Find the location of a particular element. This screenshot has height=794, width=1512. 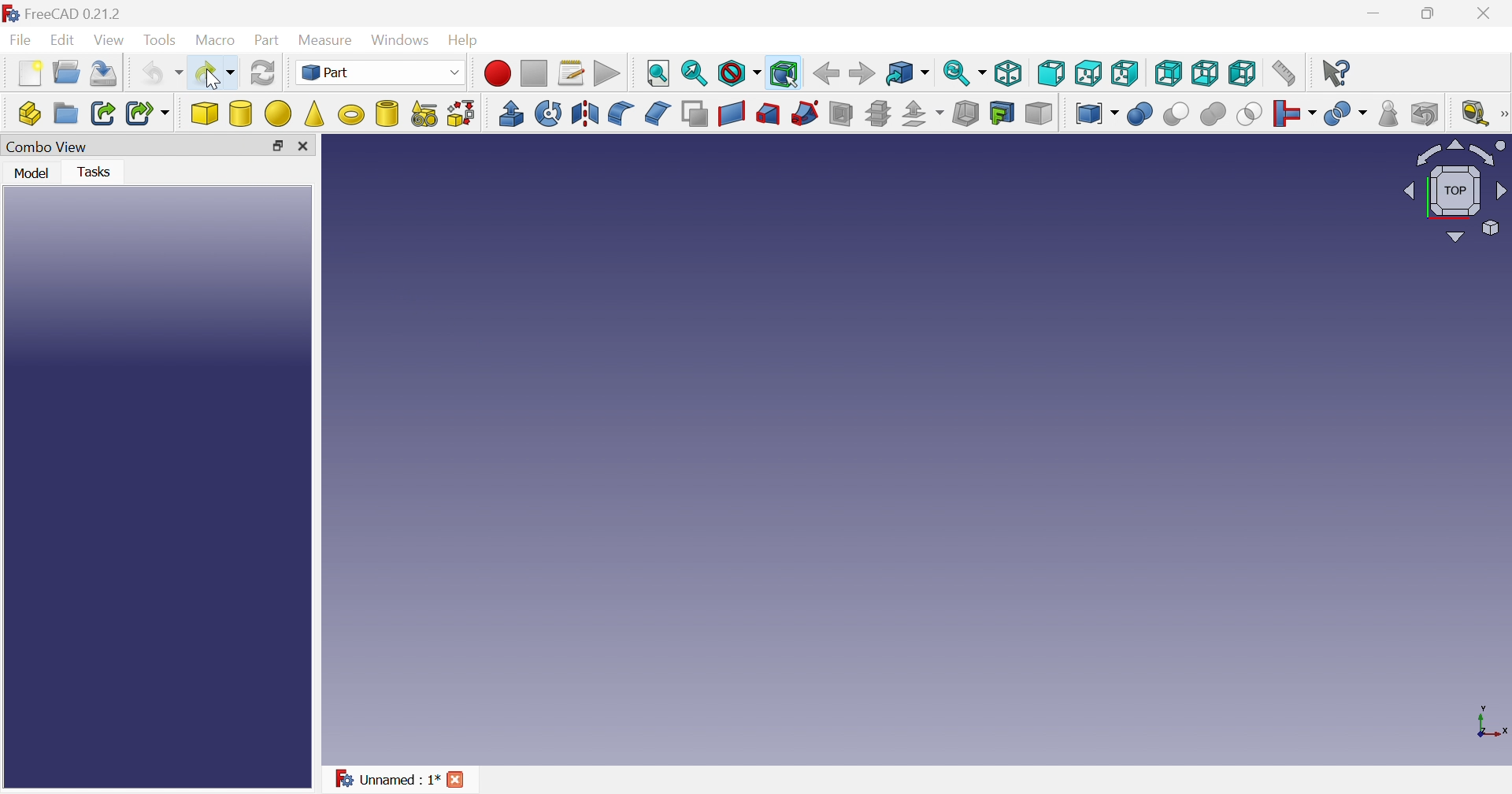

Union is located at coordinates (1213, 114).